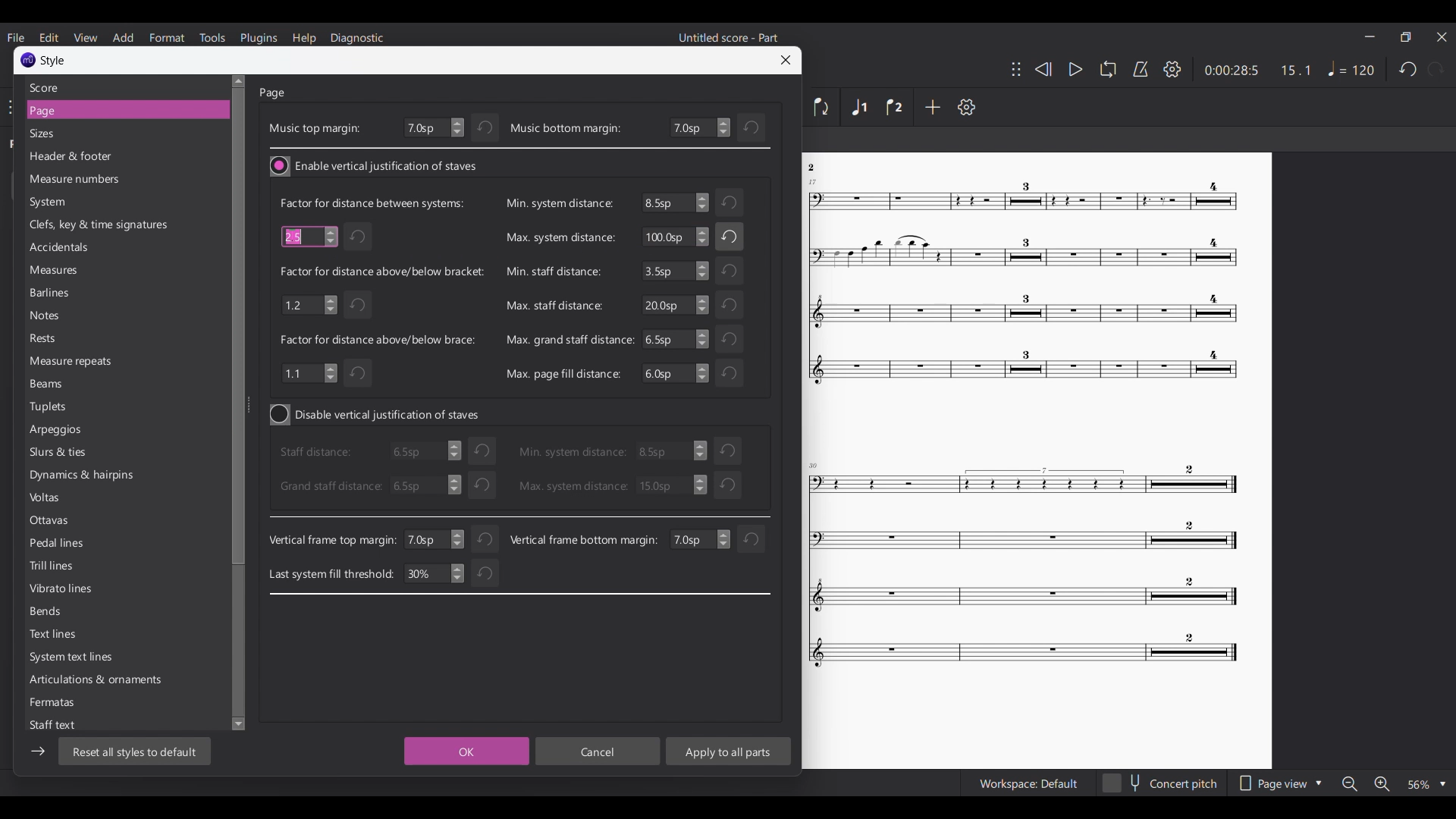  Describe the element at coordinates (731, 203) in the screenshot. I see `Undo` at that location.